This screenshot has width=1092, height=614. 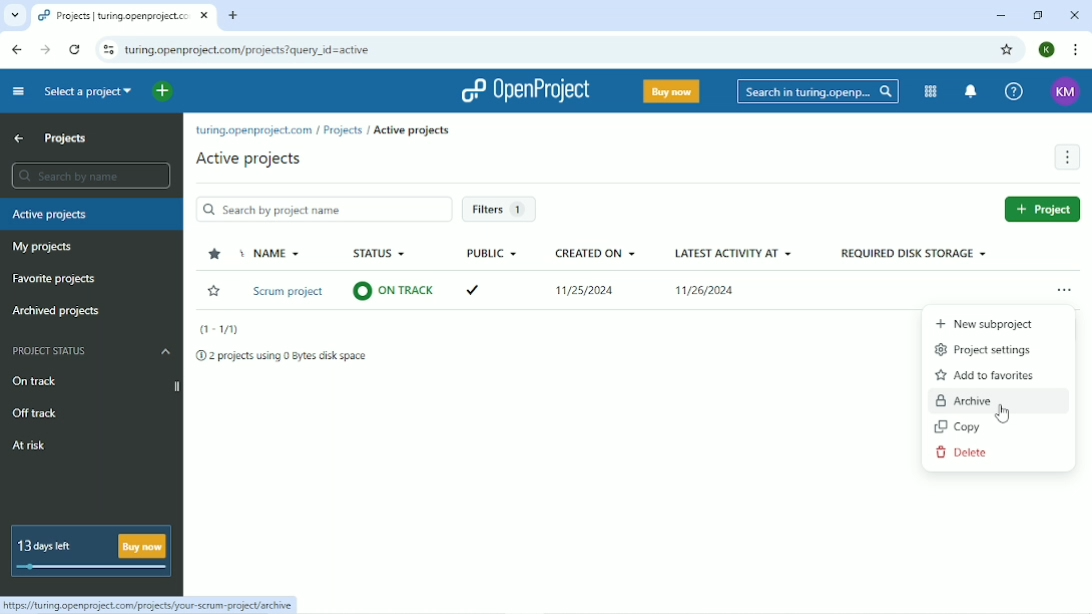 What do you see at coordinates (214, 291) in the screenshot?
I see `Favorite` at bounding box center [214, 291].